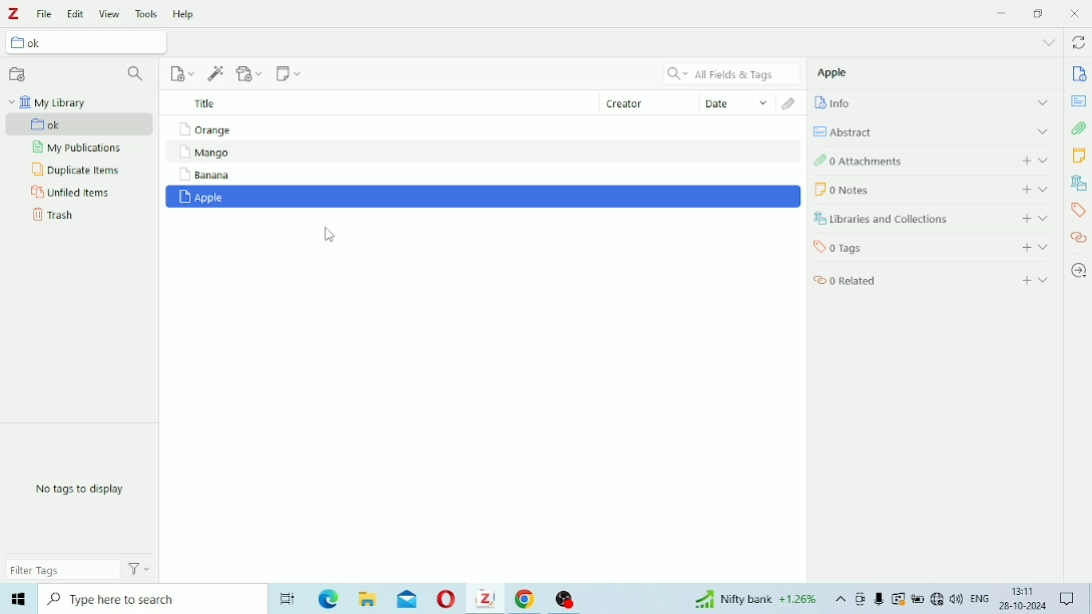 This screenshot has width=1092, height=614. Describe the element at coordinates (251, 75) in the screenshot. I see `Add Attachment` at that location.